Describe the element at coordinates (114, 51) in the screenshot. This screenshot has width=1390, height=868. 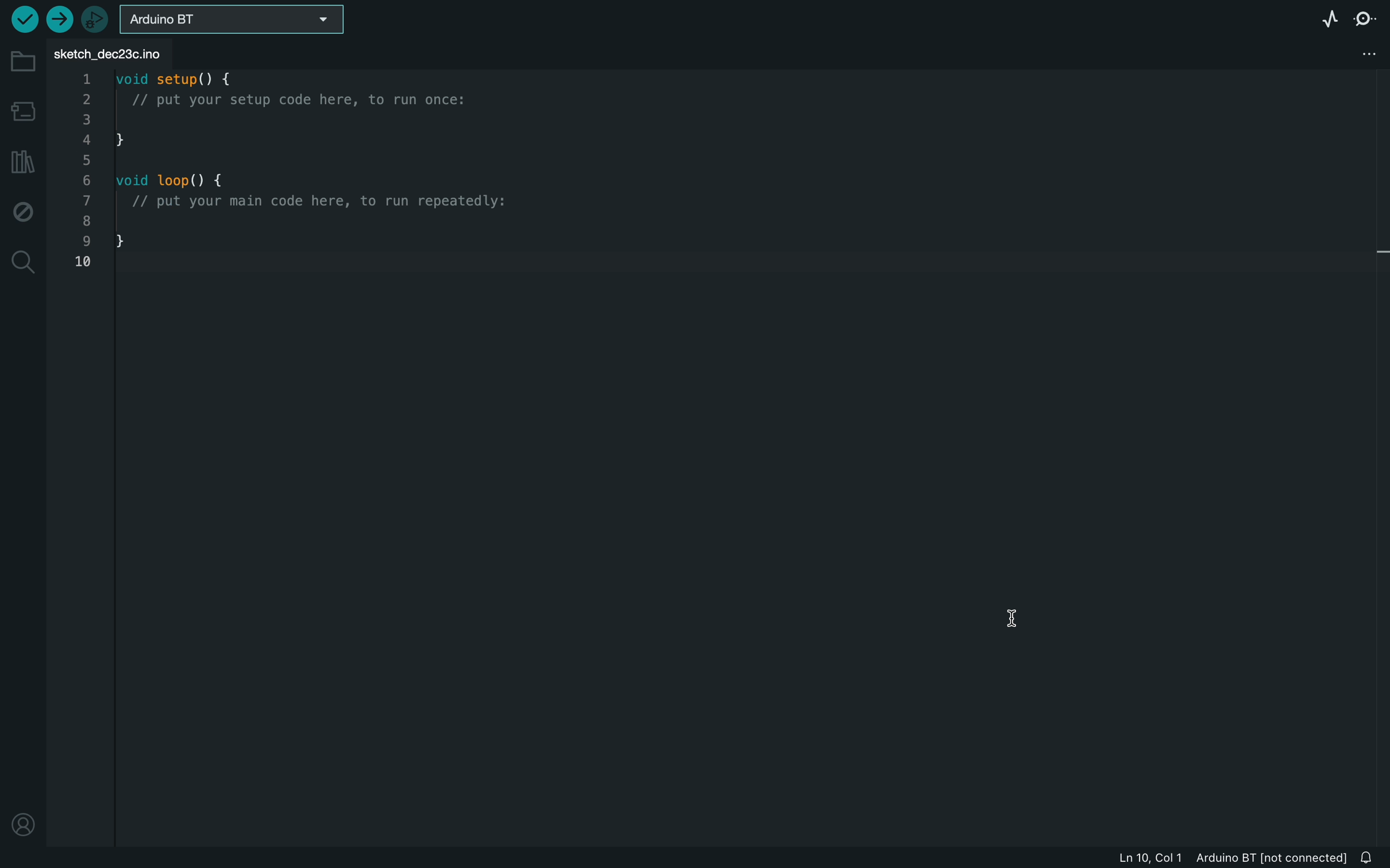
I see `file tab` at that location.